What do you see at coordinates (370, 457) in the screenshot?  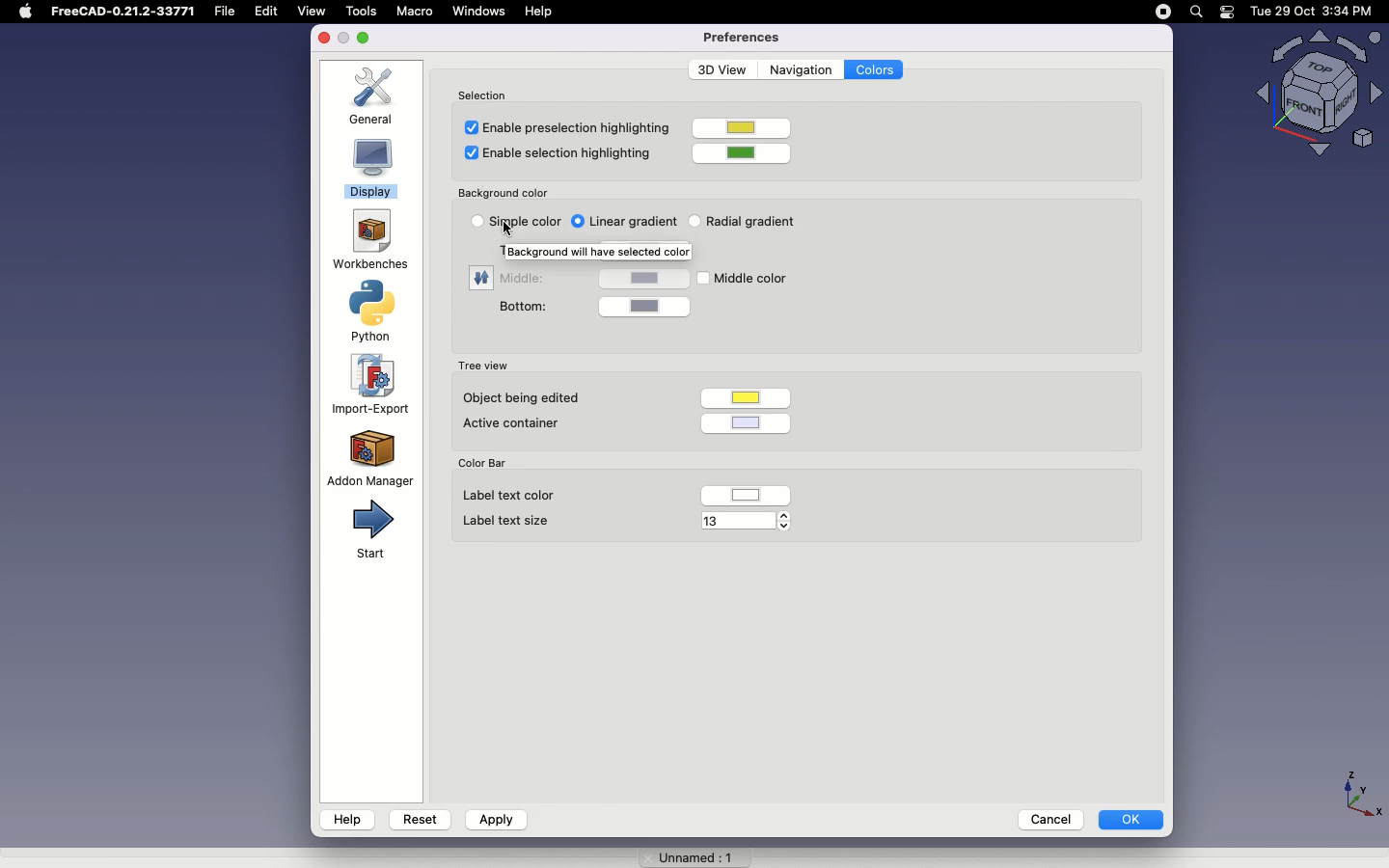 I see `Addon Manager` at bounding box center [370, 457].